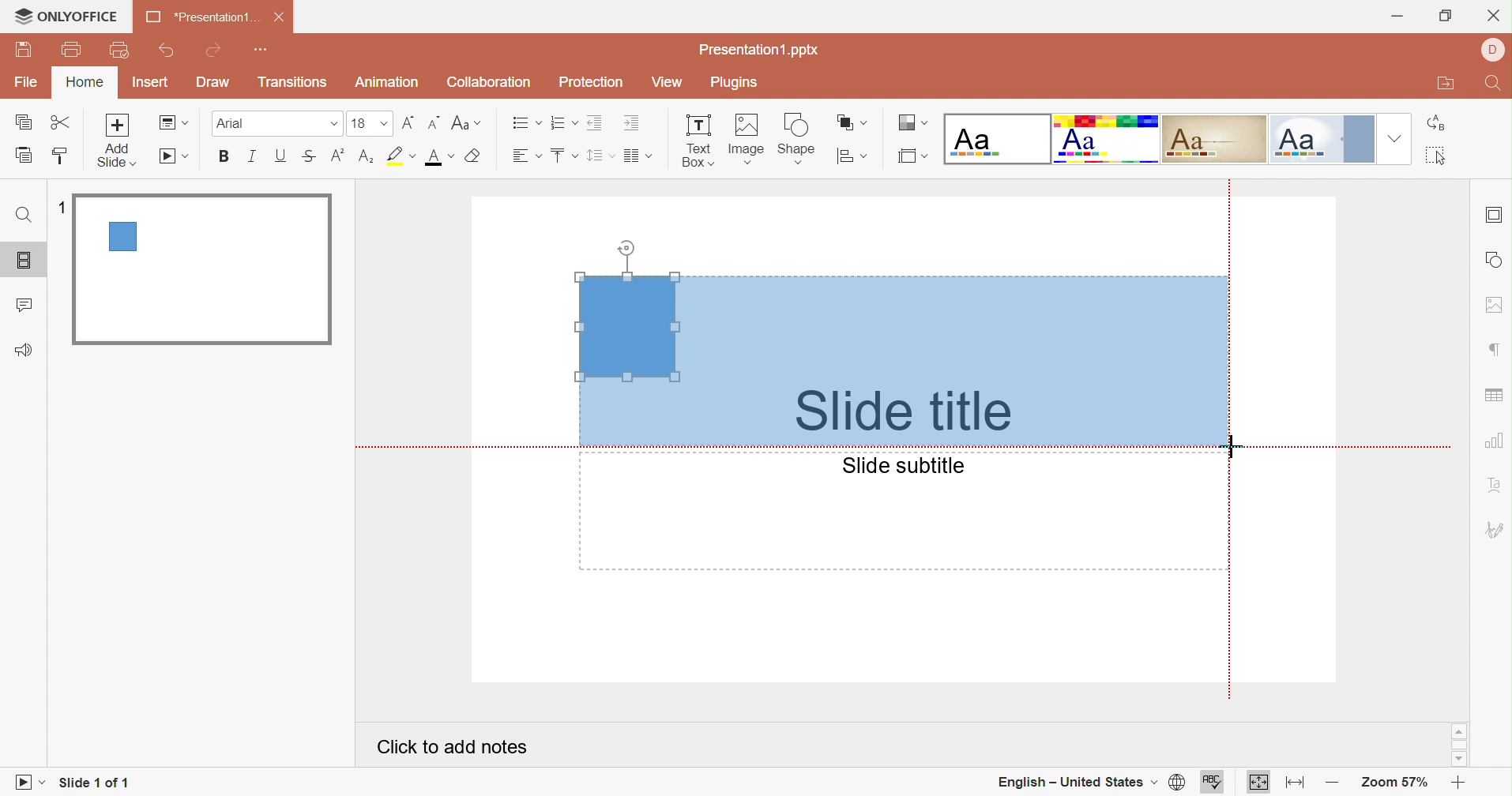 The height and width of the screenshot is (796, 1512). What do you see at coordinates (364, 161) in the screenshot?
I see `Subscript` at bounding box center [364, 161].